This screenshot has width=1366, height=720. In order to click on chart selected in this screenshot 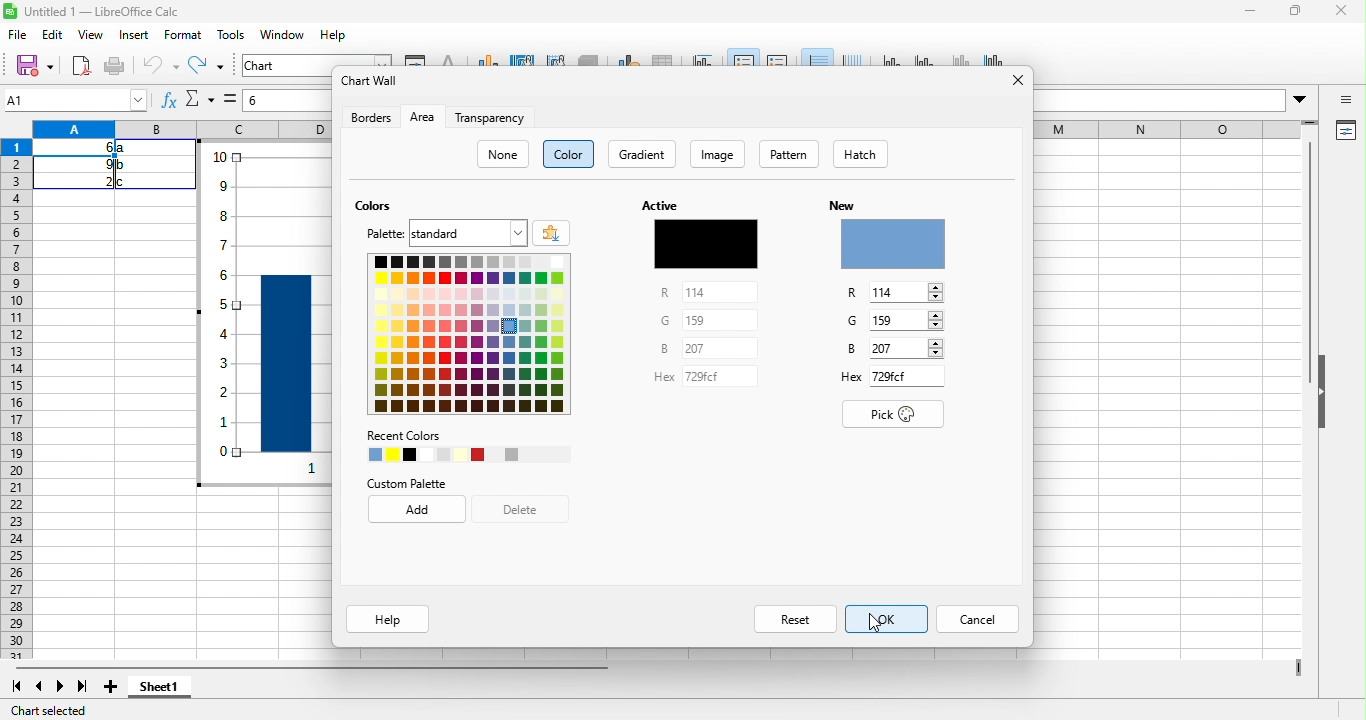, I will do `click(59, 710)`.